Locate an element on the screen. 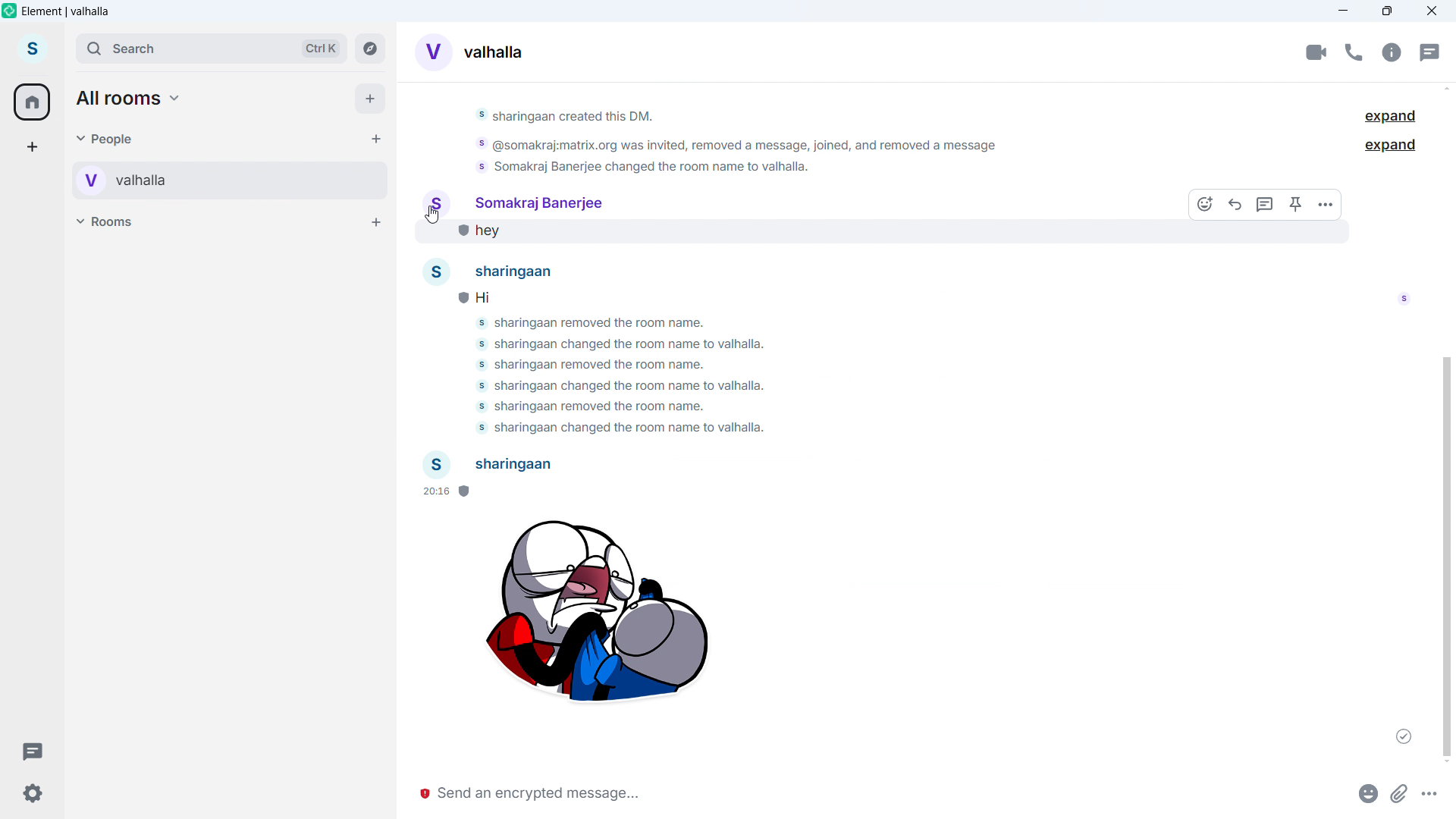 This screenshot has height=819, width=1456. Search is located at coordinates (211, 49).